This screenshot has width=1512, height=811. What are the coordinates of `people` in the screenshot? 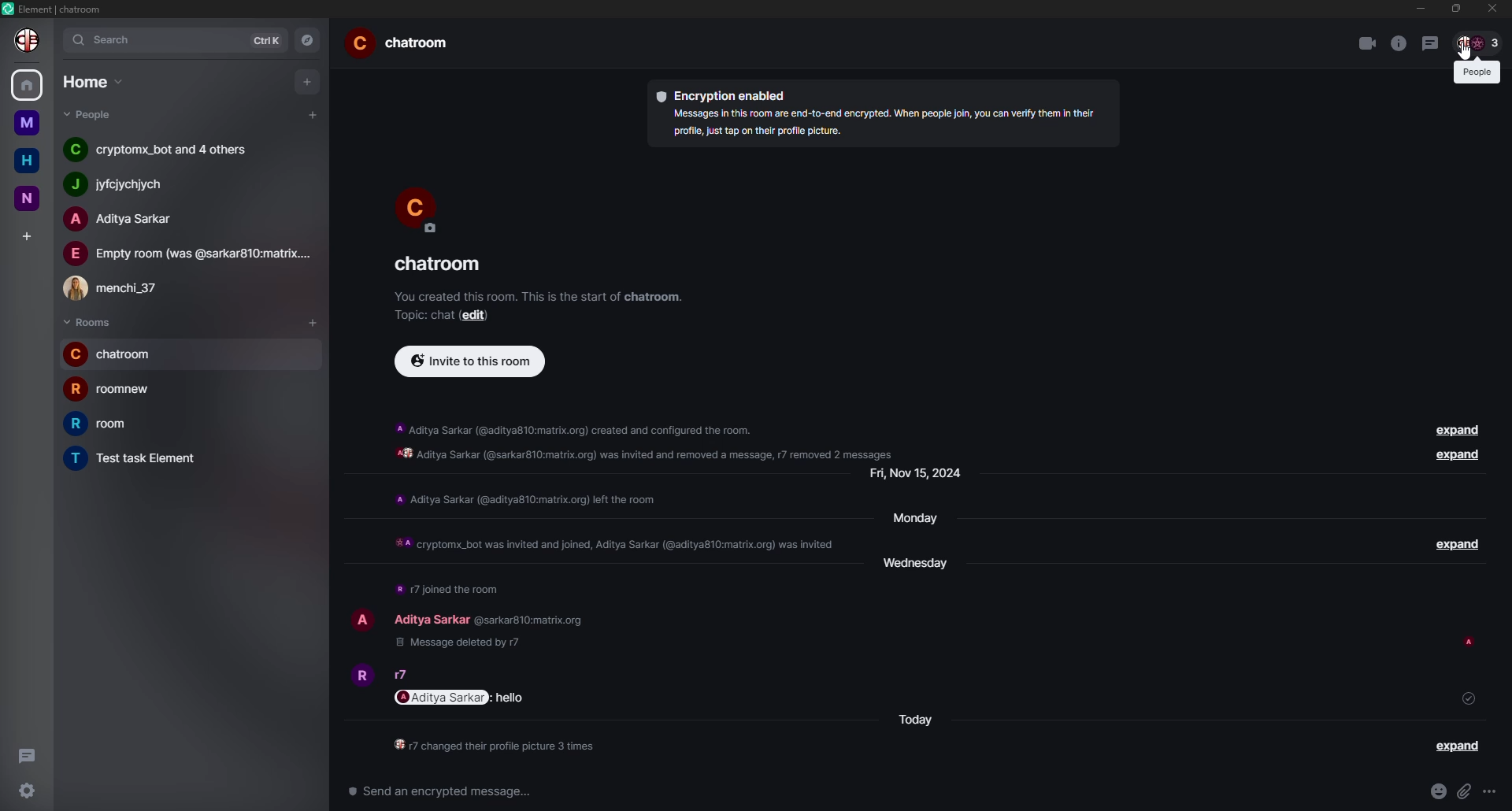 It's located at (119, 219).